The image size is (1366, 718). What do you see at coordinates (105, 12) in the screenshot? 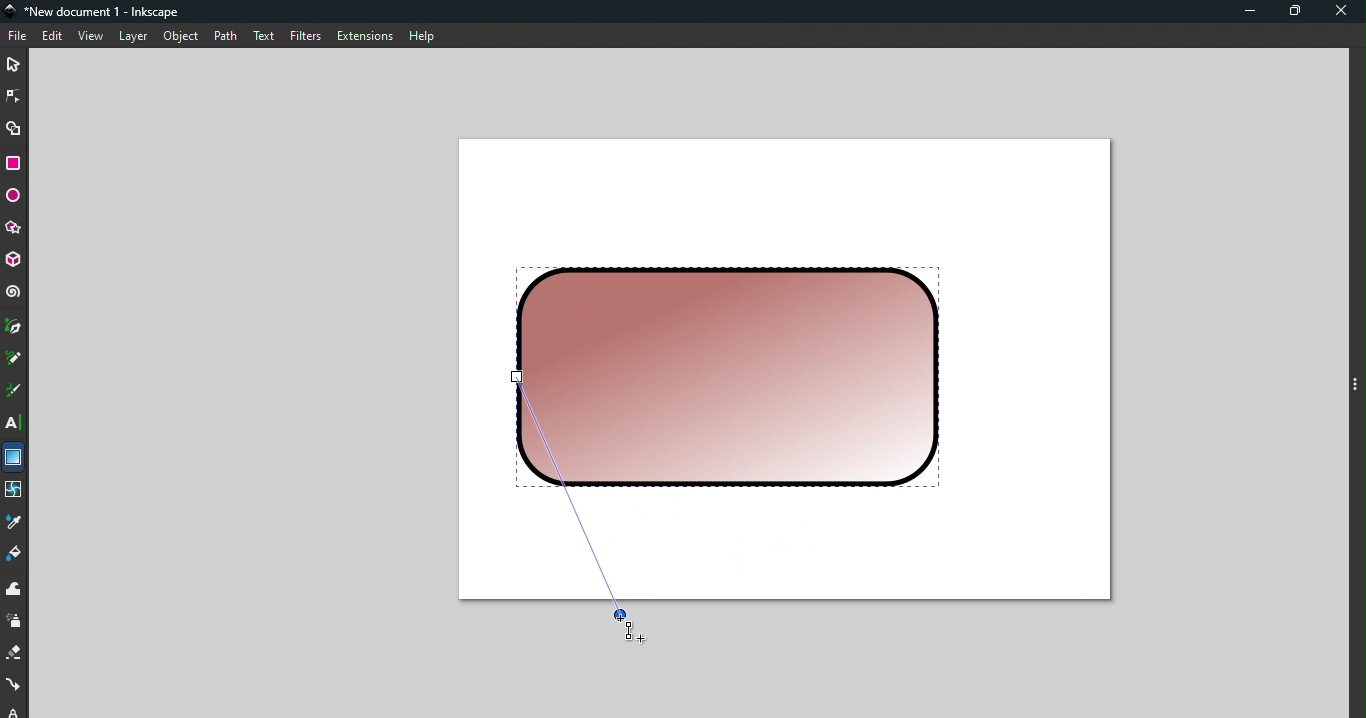
I see `‘New document 1 - Inkscape` at bounding box center [105, 12].